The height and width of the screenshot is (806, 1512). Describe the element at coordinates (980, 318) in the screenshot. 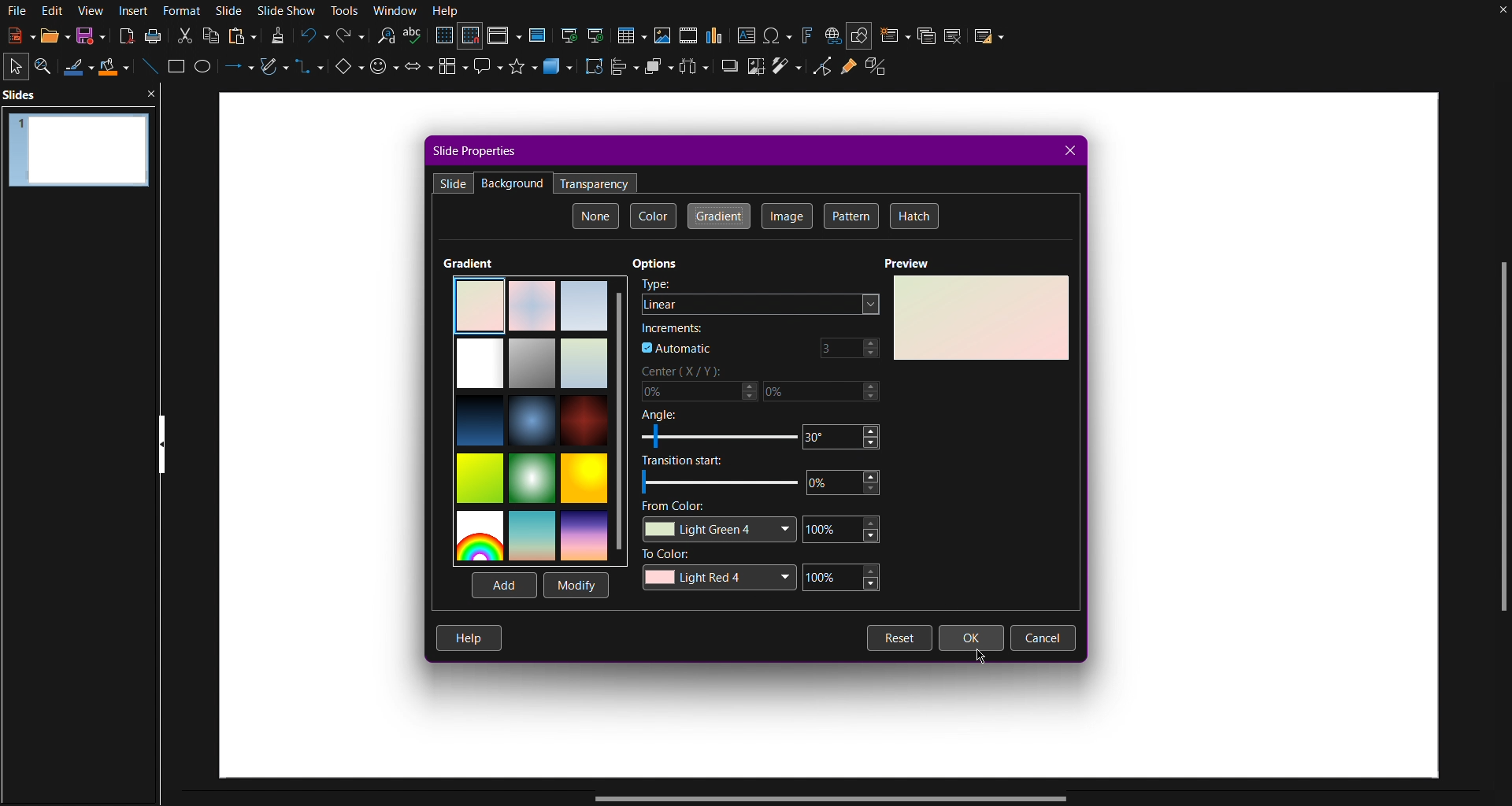

I see `Preview gradient` at that location.